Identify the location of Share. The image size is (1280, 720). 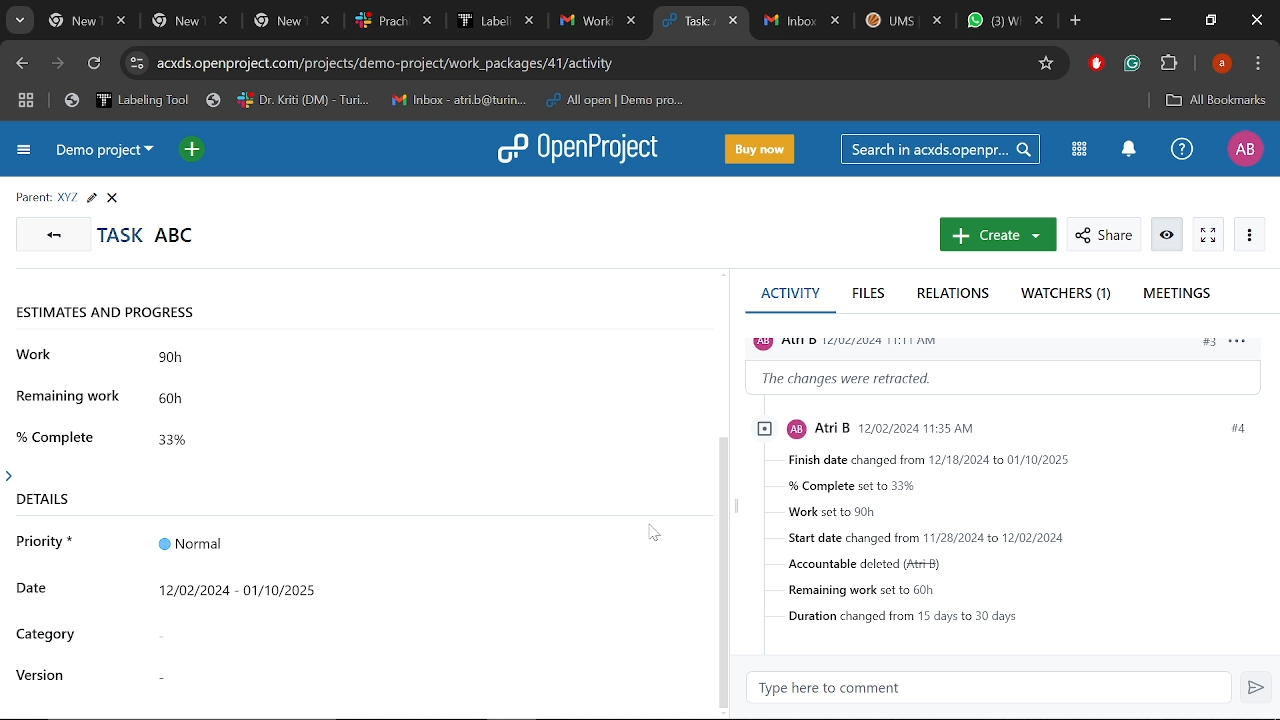
(1103, 235).